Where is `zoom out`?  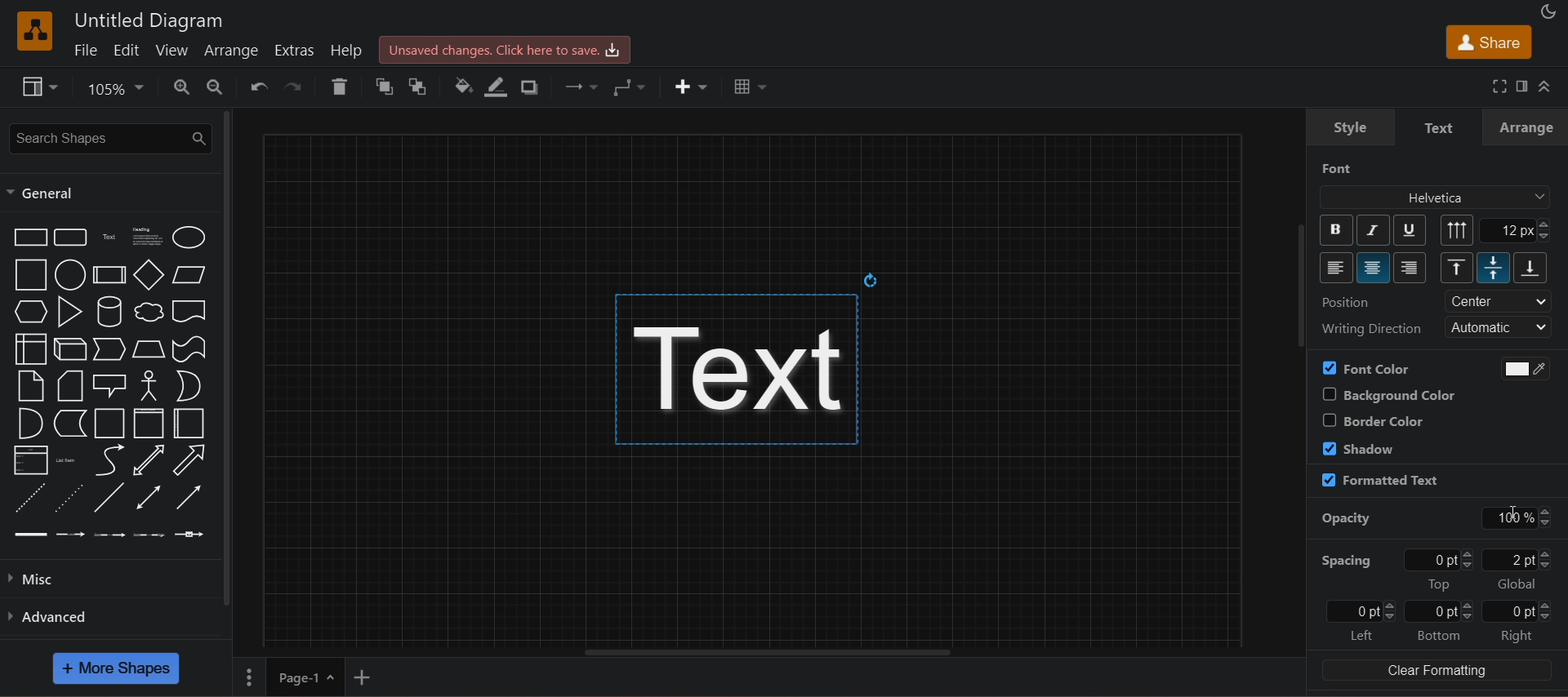 zoom out is located at coordinates (213, 87).